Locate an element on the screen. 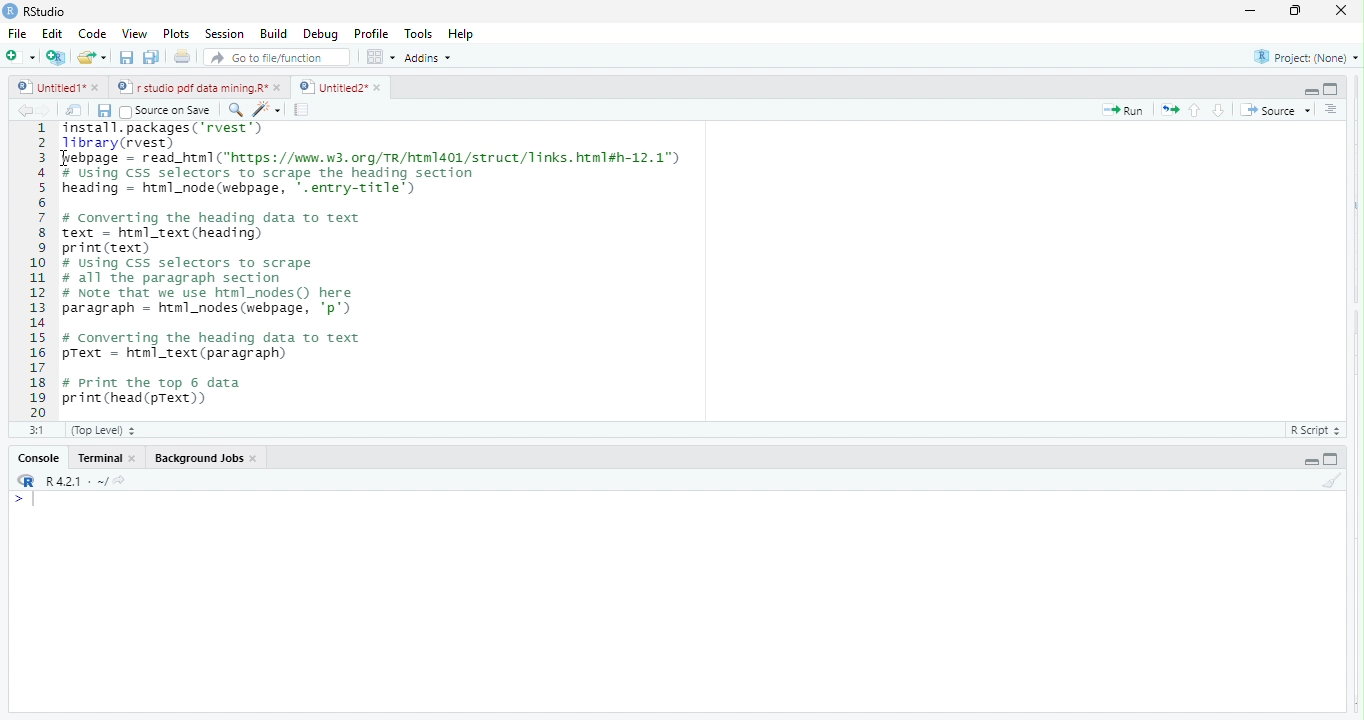  Edit is located at coordinates (53, 33).